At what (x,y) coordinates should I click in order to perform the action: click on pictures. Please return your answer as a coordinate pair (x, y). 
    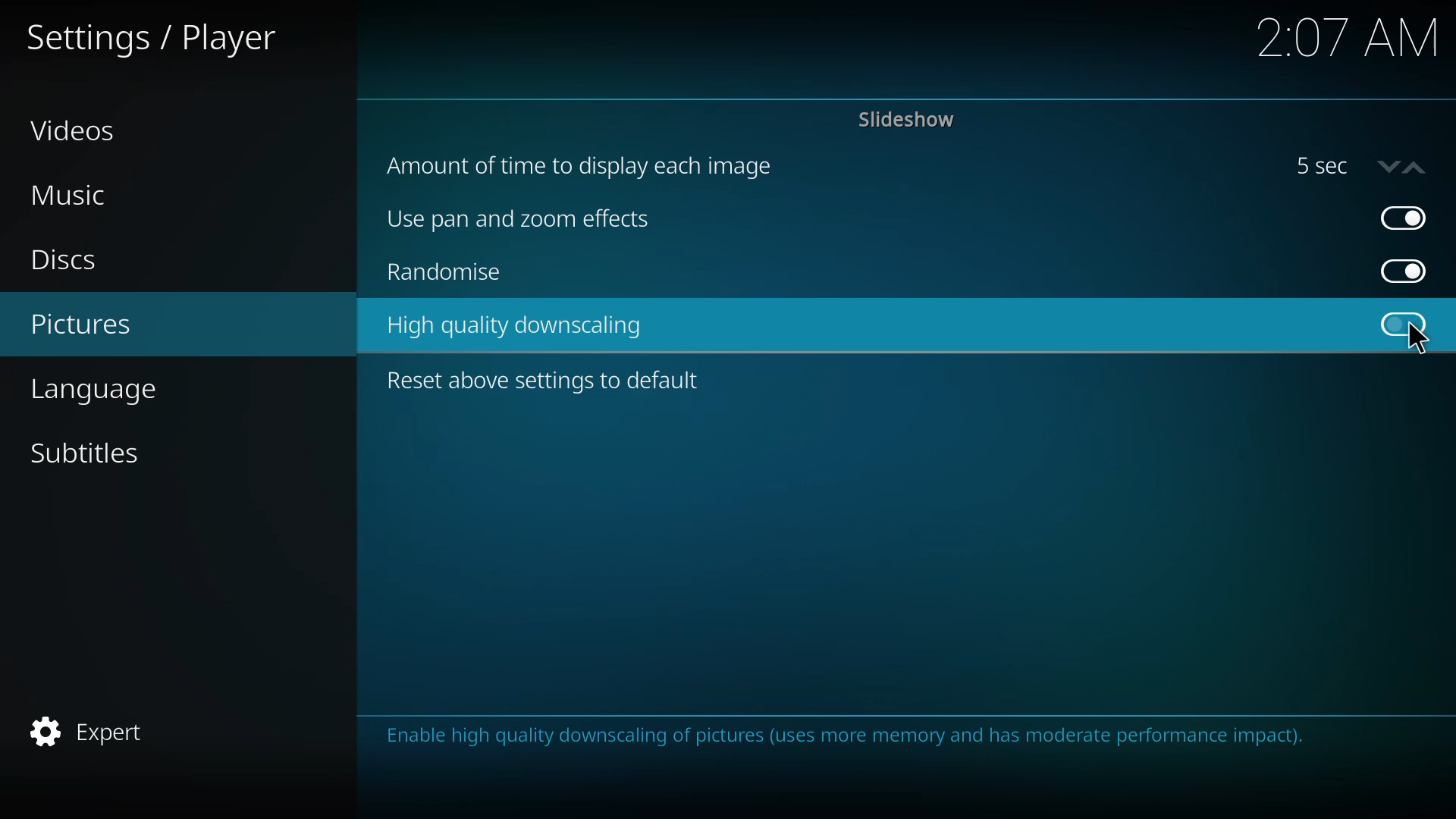
    Looking at the image, I should click on (86, 325).